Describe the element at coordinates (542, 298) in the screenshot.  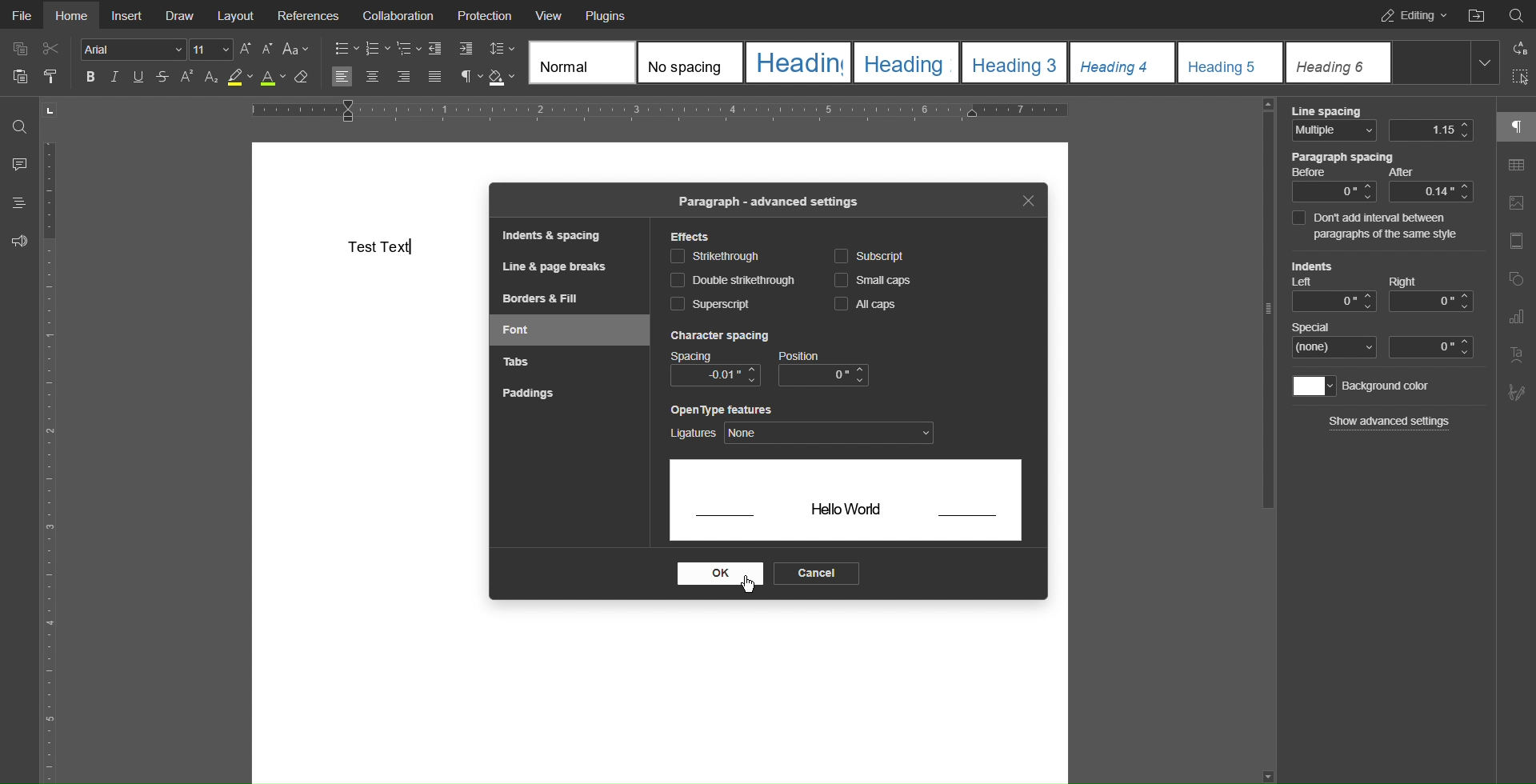
I see `Borders & Fill` at that location.